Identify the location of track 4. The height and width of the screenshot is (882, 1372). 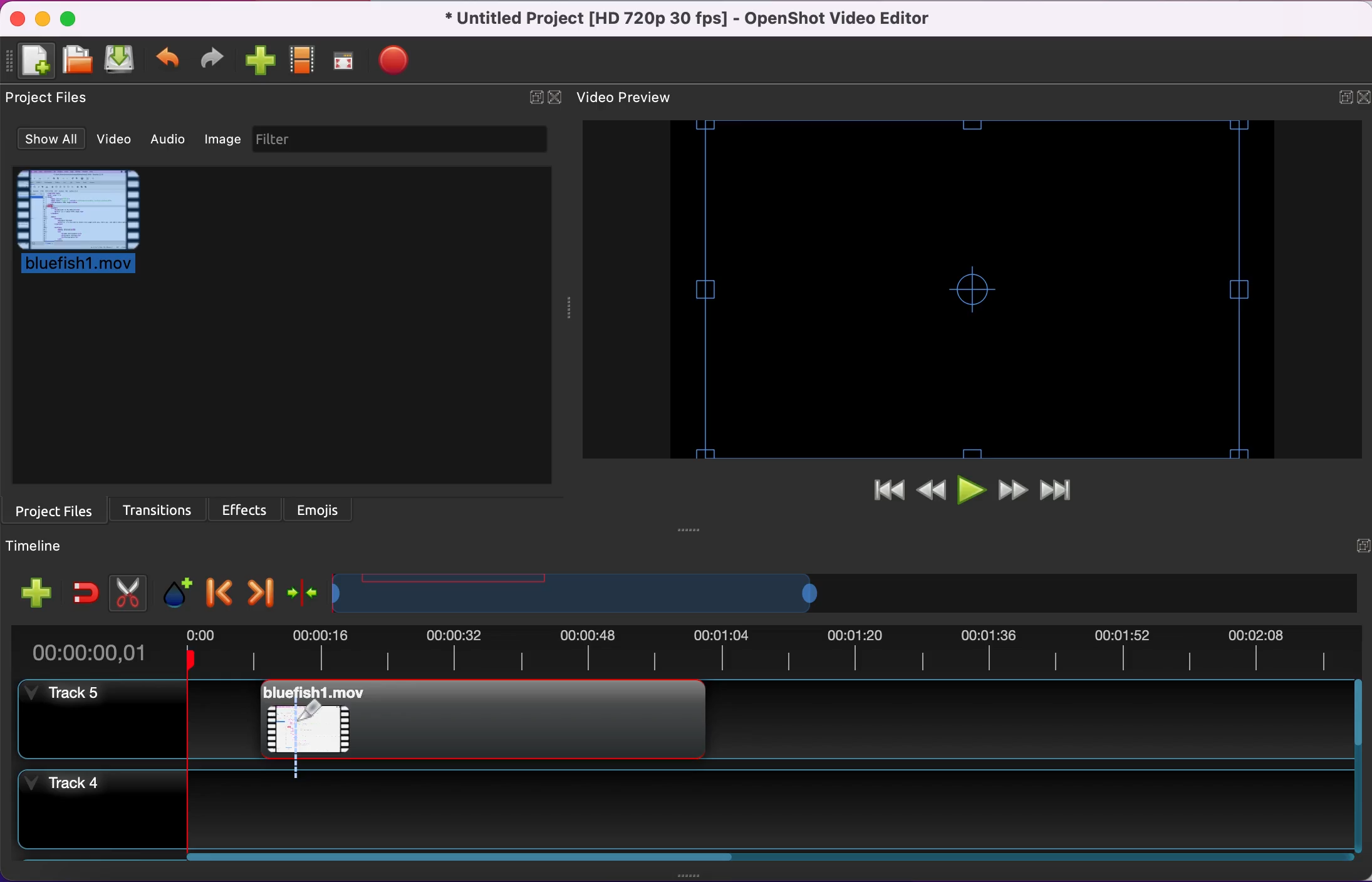
(107, 816).